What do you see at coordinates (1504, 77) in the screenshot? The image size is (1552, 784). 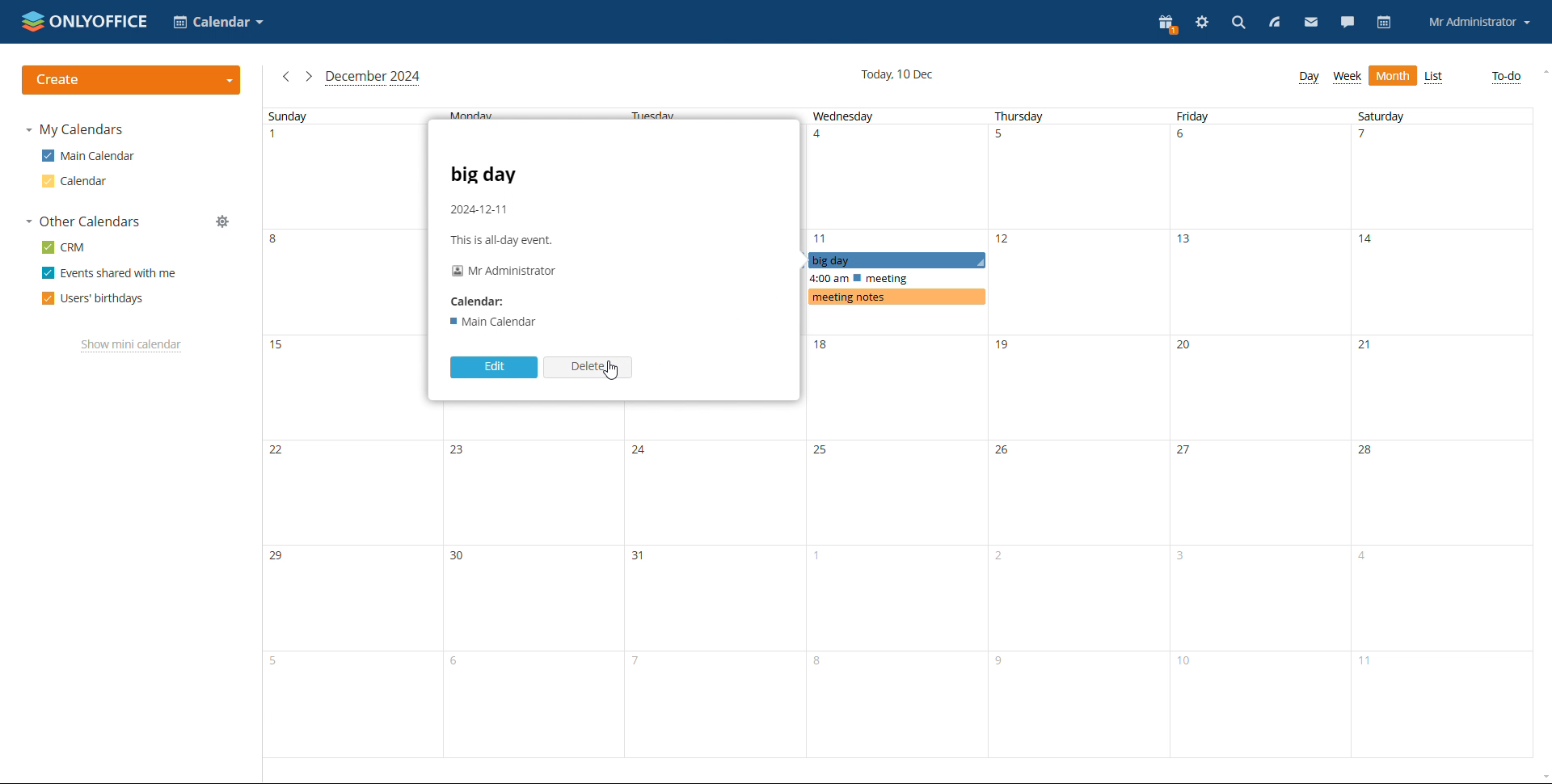 I see `to-do` at bounding box center [1504, 77].